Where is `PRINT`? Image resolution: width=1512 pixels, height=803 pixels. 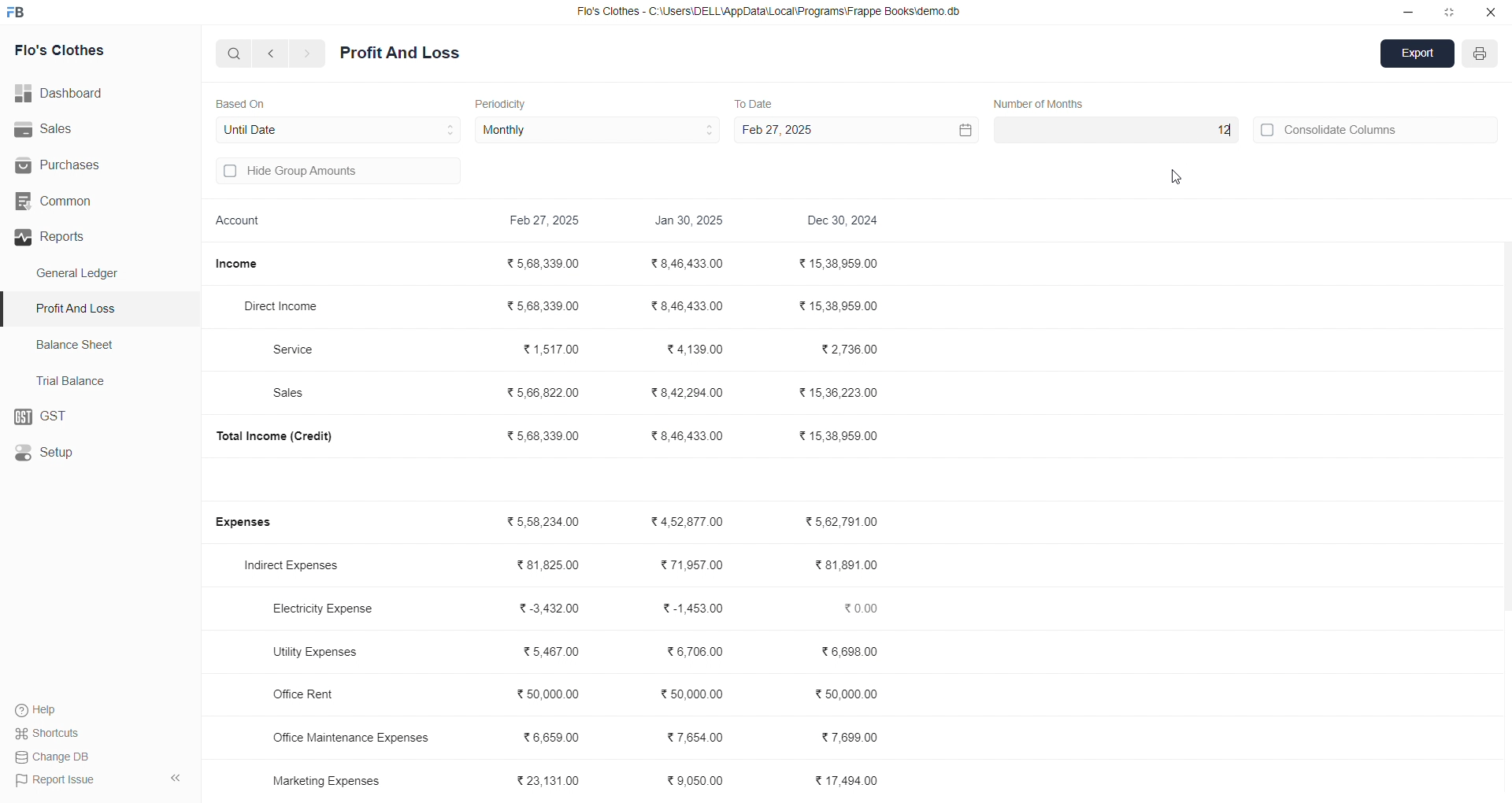 PRINT is located at coordinates (1480, 56).